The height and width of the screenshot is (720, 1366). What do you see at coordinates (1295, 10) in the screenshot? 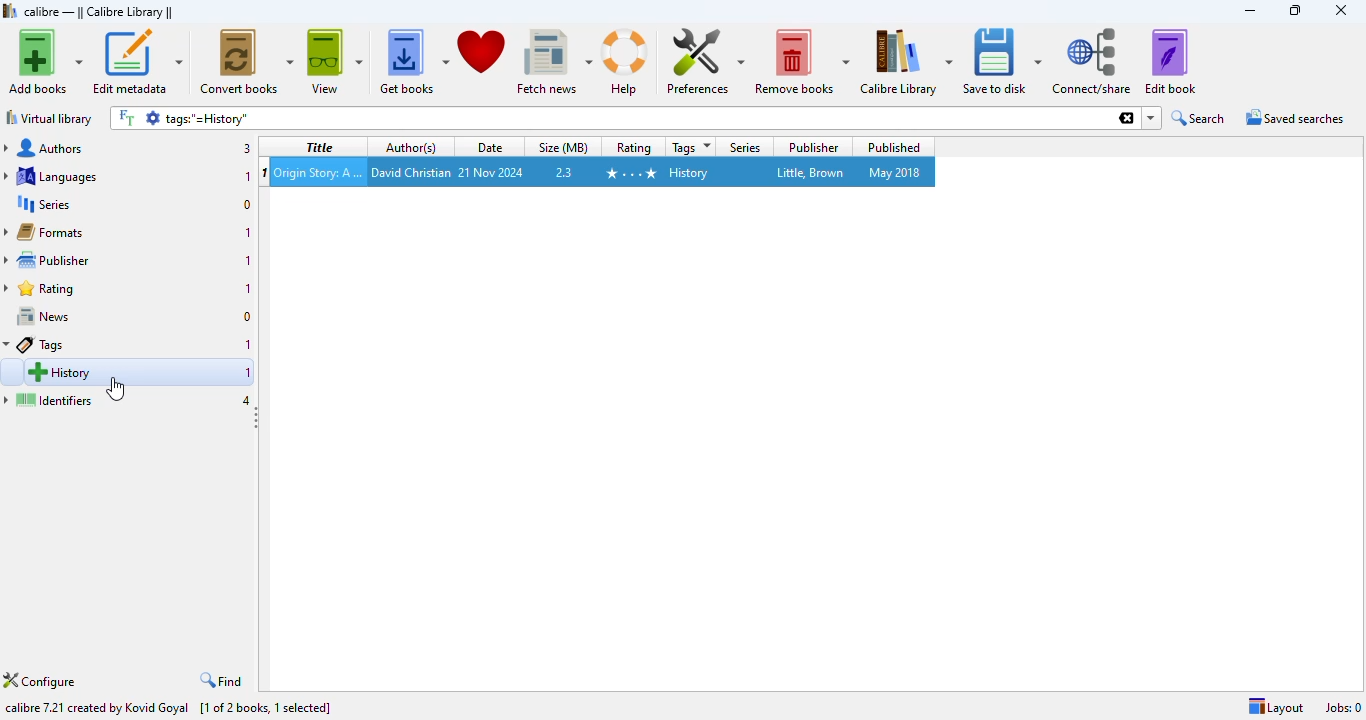
I see `maximize` at bounding box center [1295, 10].